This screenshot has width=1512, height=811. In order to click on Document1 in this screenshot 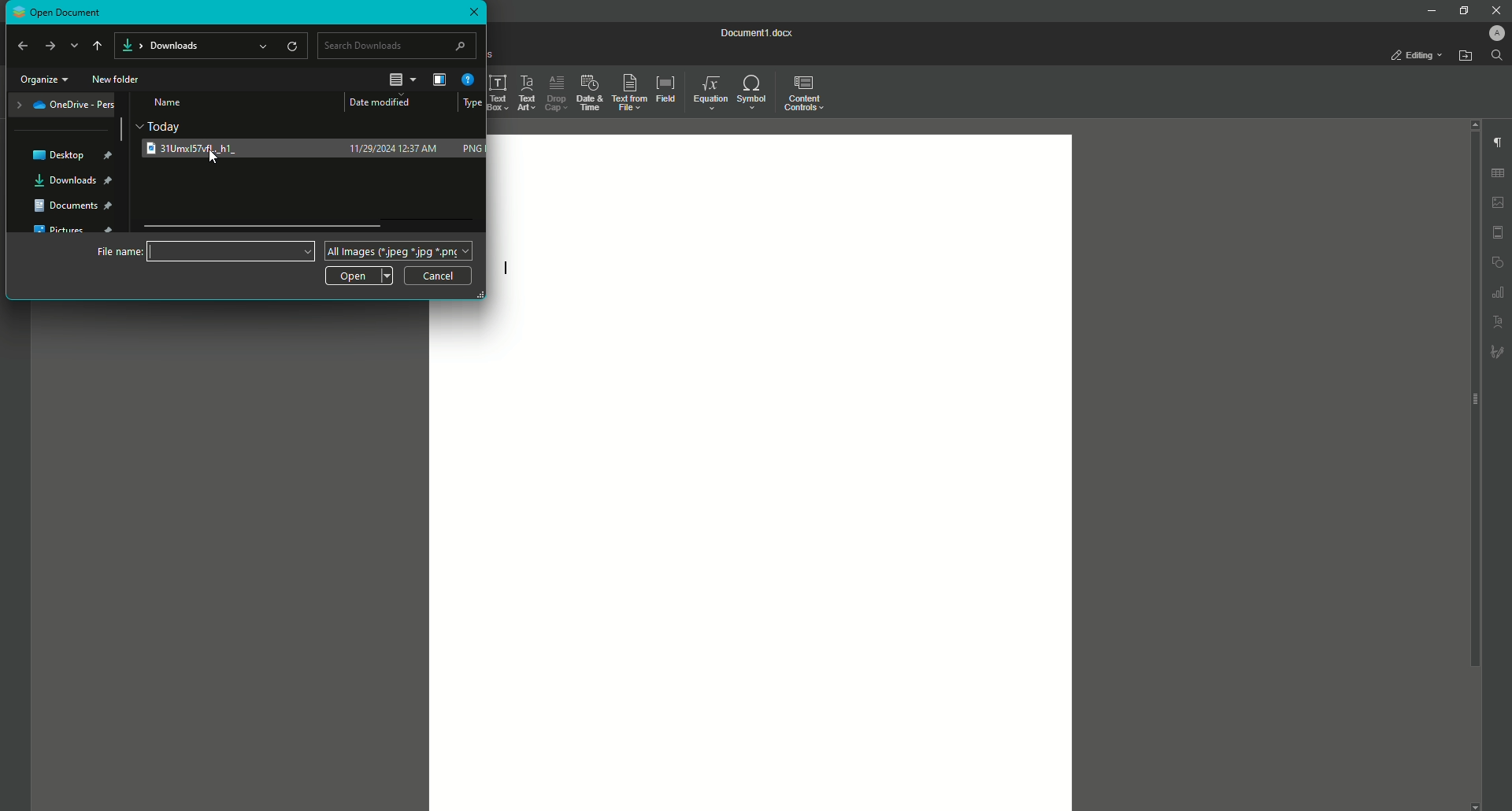, I will do `click(757, 32)`.